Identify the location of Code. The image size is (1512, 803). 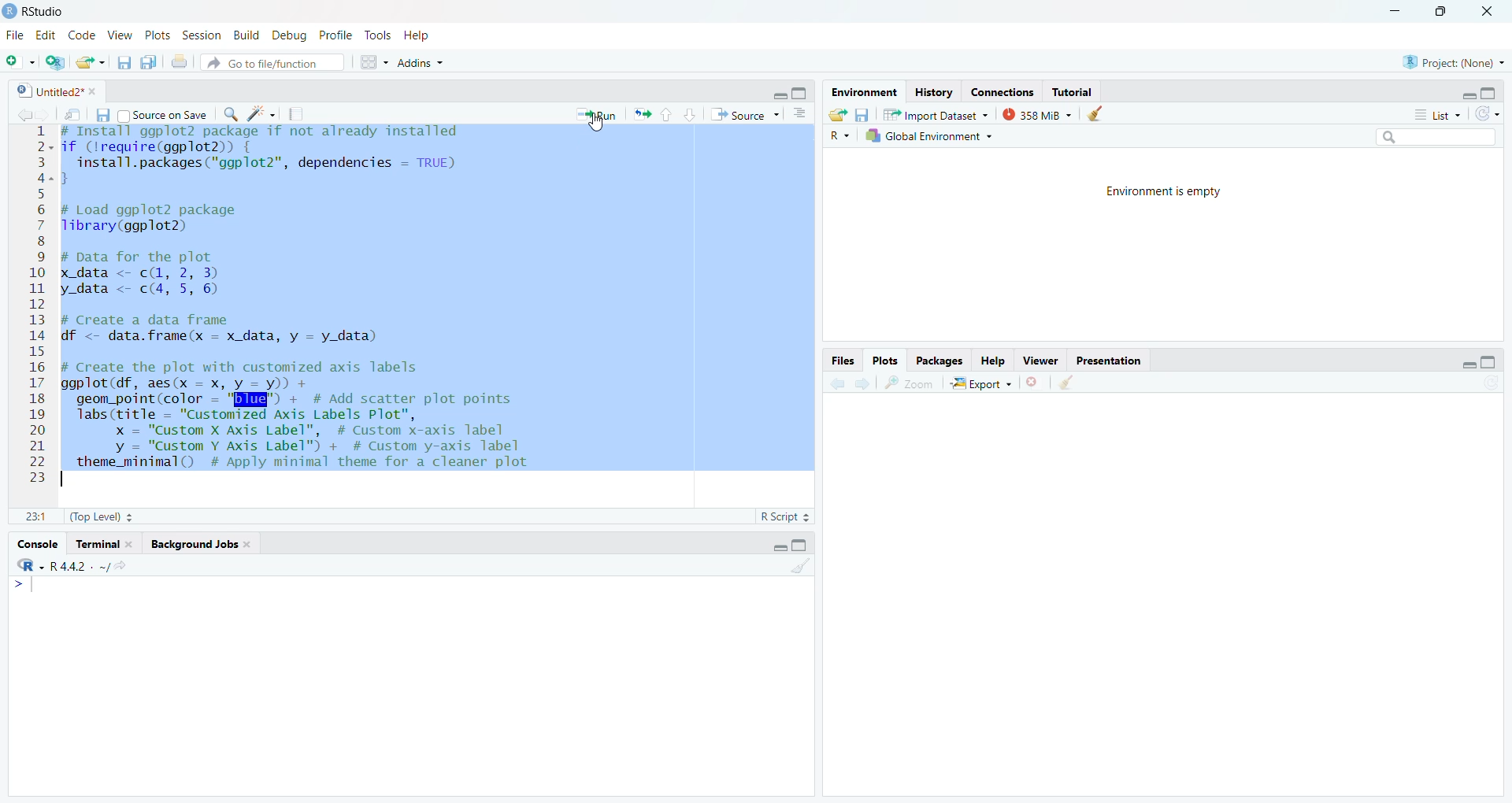
(82, 35).